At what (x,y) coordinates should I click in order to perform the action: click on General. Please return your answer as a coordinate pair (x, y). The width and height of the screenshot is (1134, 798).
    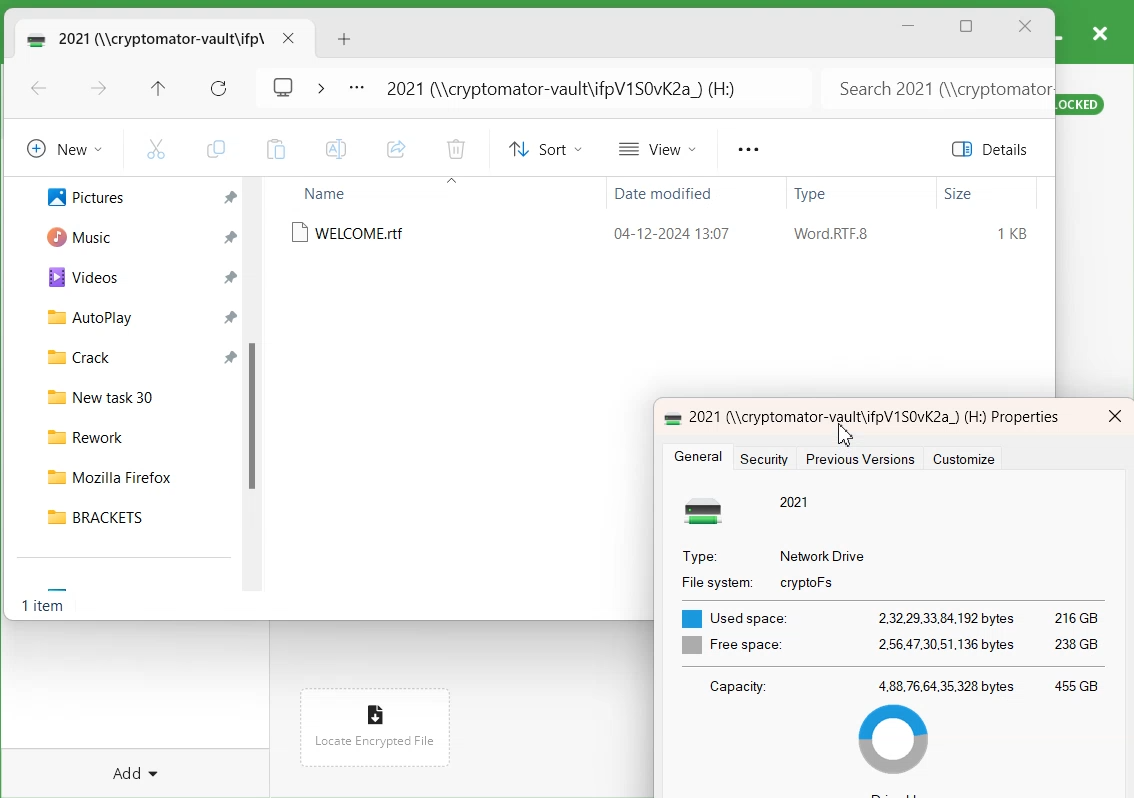
    Looking at the image, I should click on (700, 457).